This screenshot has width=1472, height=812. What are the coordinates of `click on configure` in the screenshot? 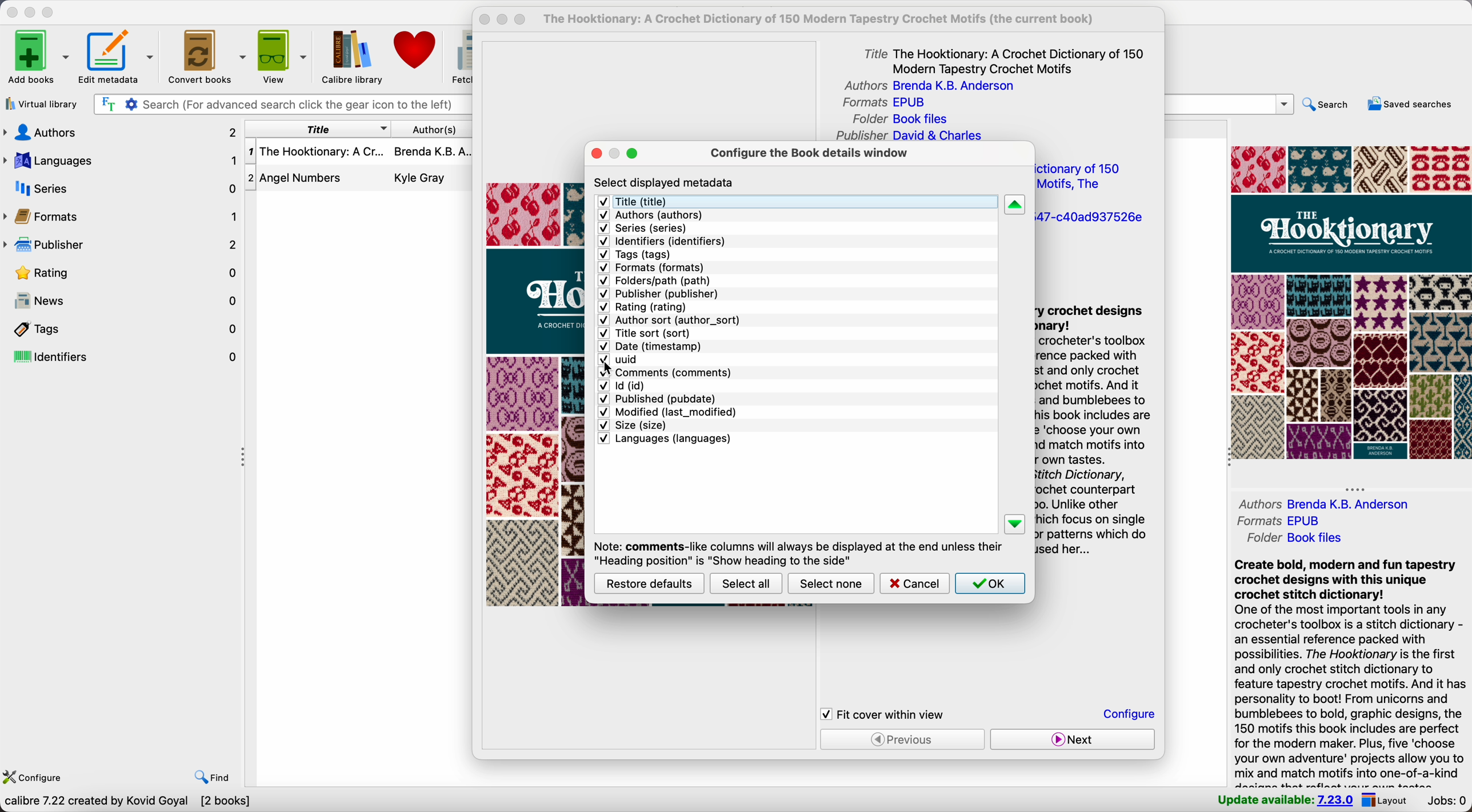 It's located at (1131, 715).